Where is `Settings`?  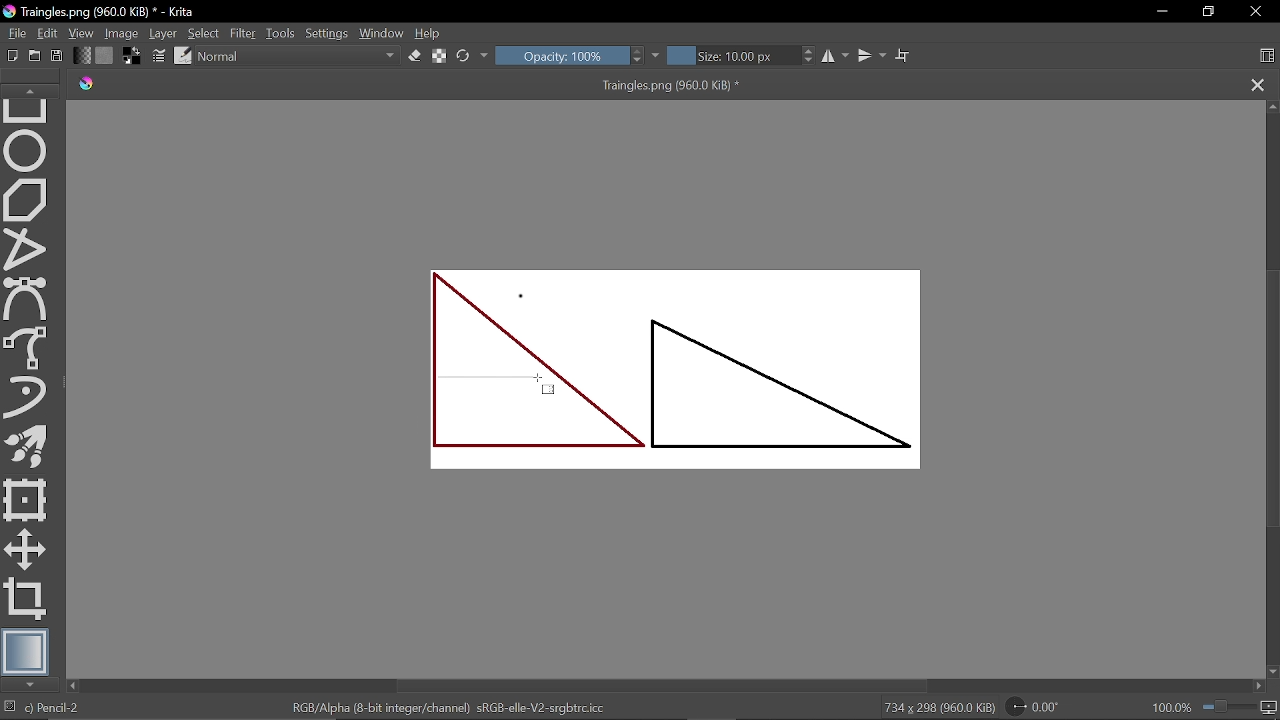
Settings is located at coordinates (328, 33).